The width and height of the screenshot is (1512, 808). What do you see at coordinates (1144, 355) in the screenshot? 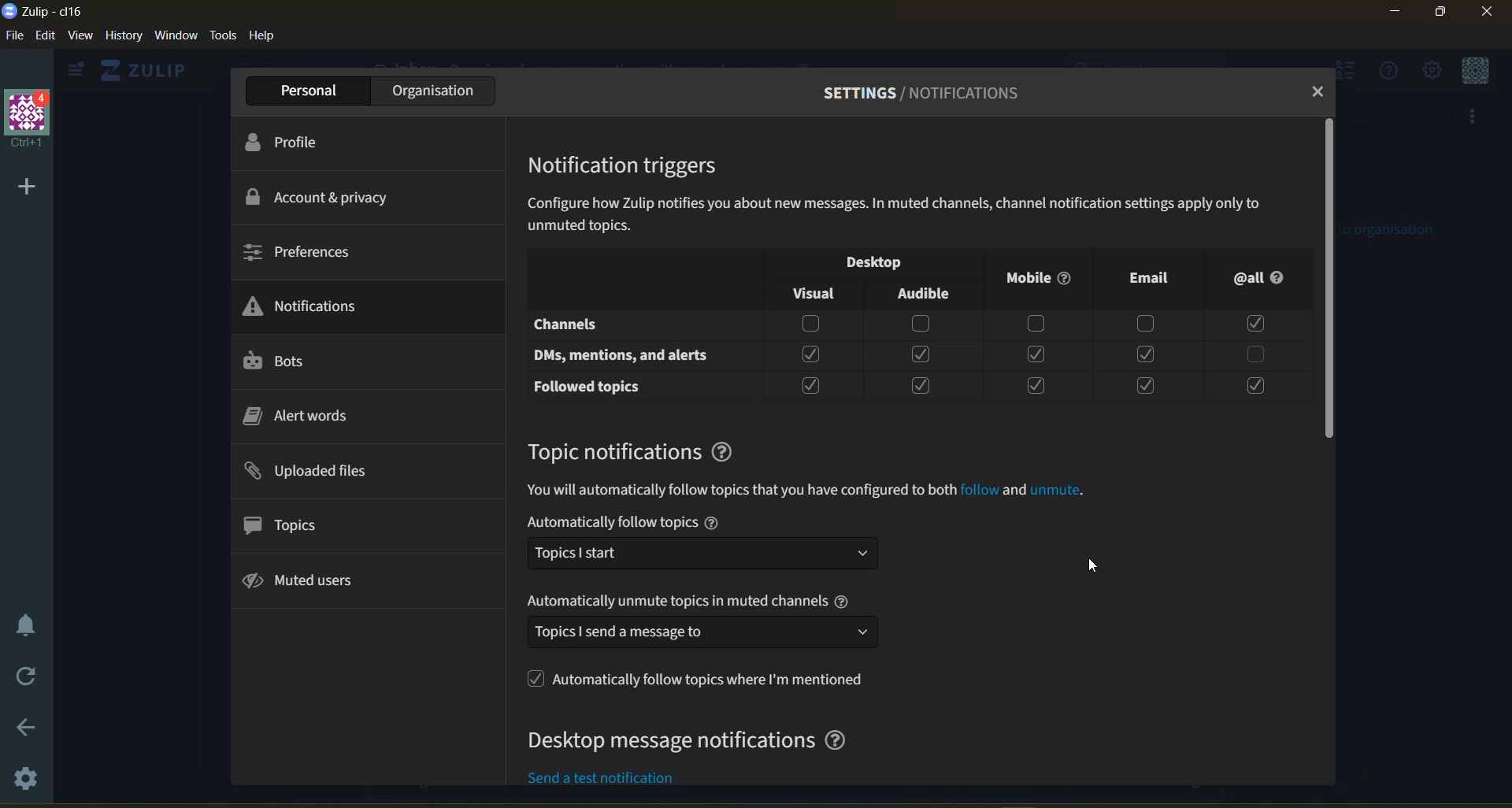
I see `Checkbox` at bounding box center [1144, 355].